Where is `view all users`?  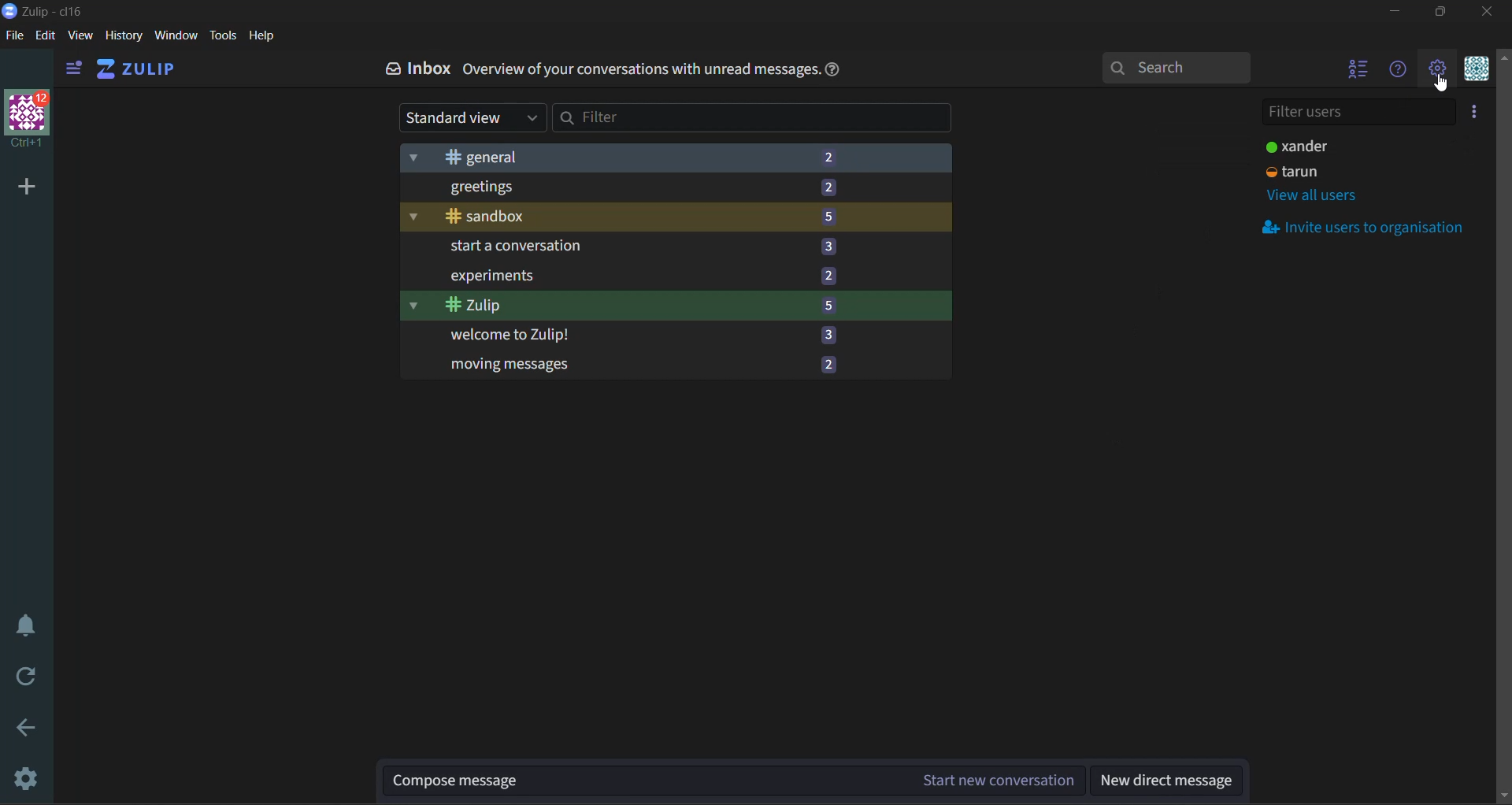 view all users is located at coordinates (1317, 195).